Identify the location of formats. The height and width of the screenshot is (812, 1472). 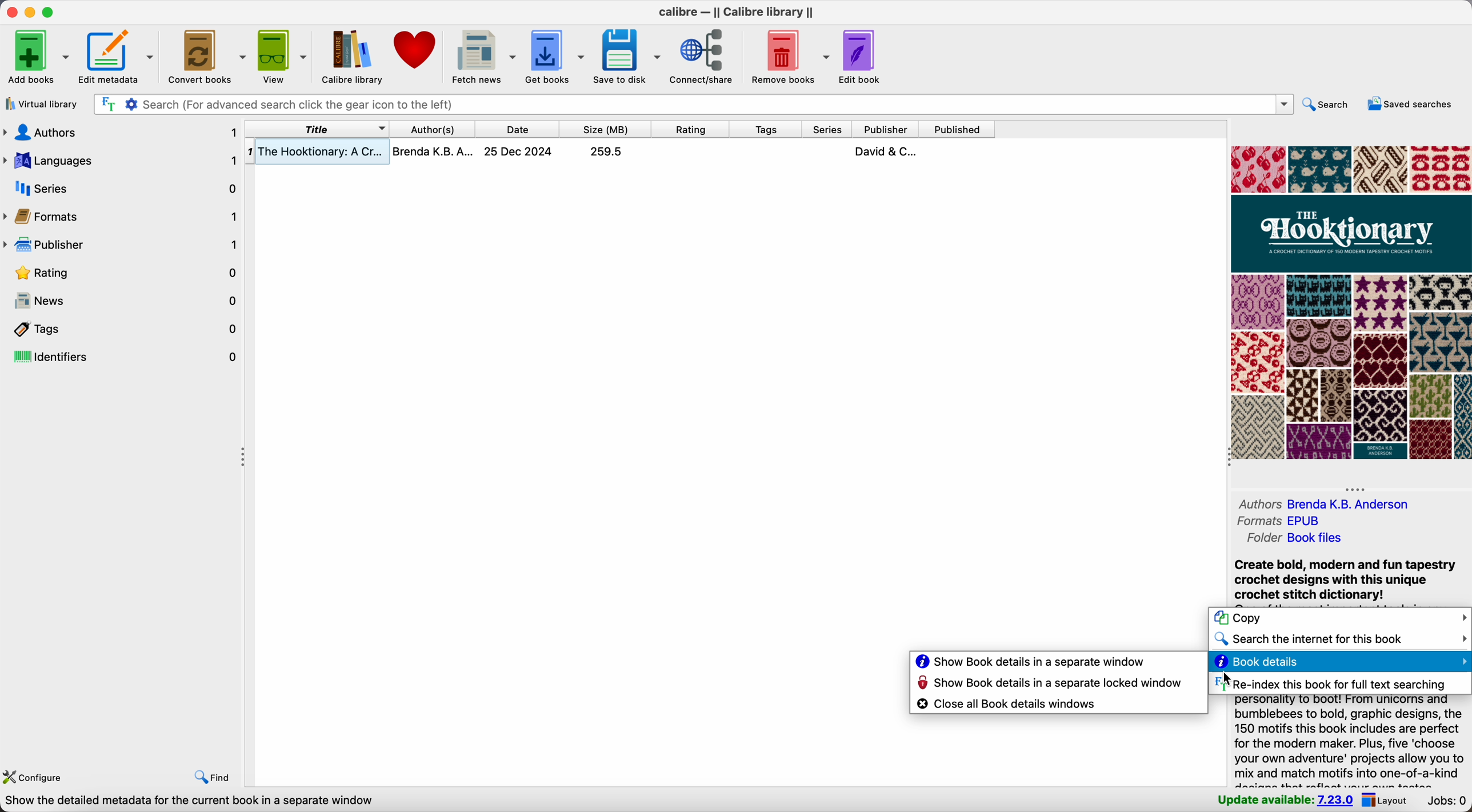
(122, 218).